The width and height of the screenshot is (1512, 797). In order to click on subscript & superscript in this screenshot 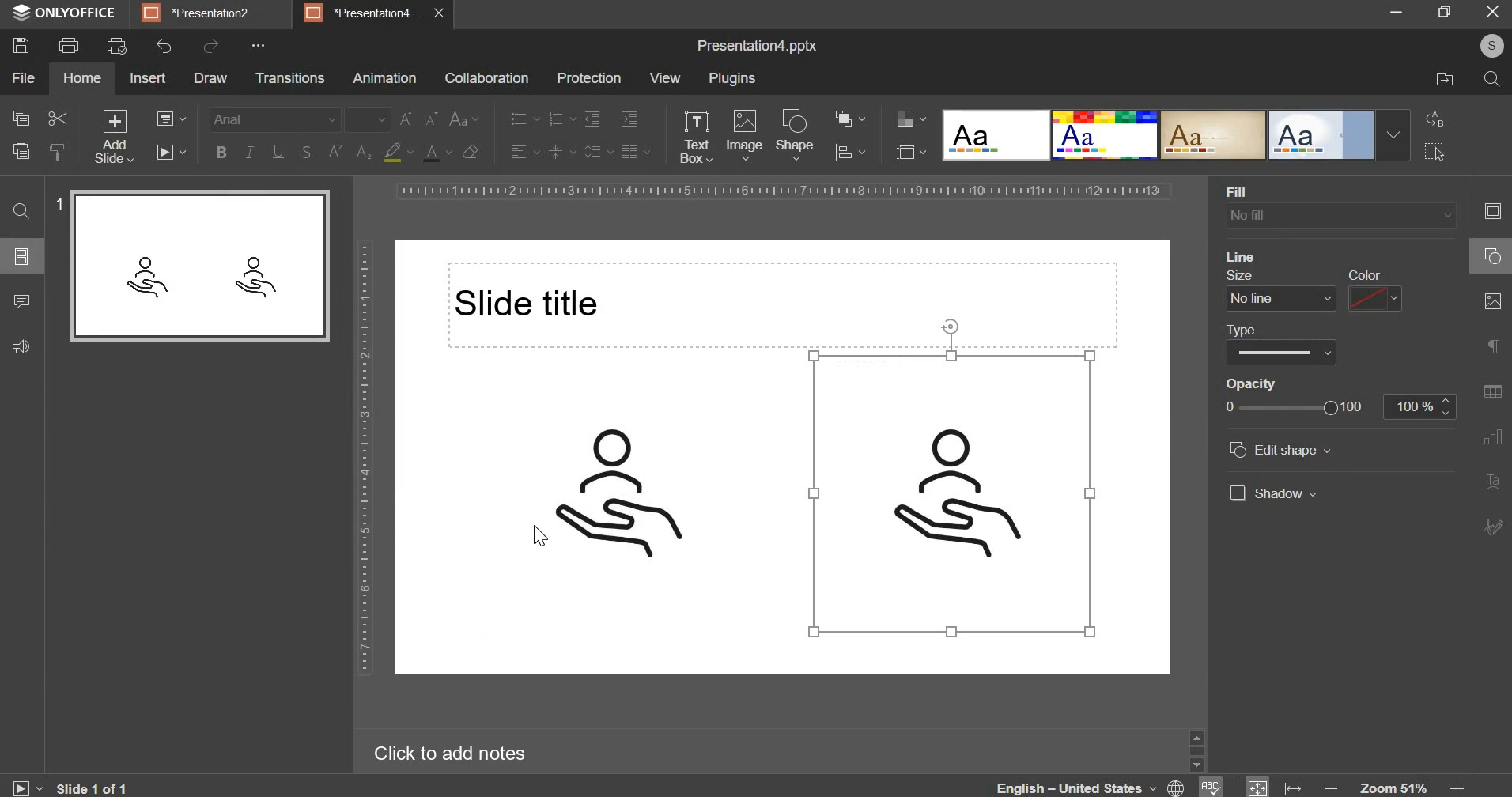, I will do `click(349, 152)`.